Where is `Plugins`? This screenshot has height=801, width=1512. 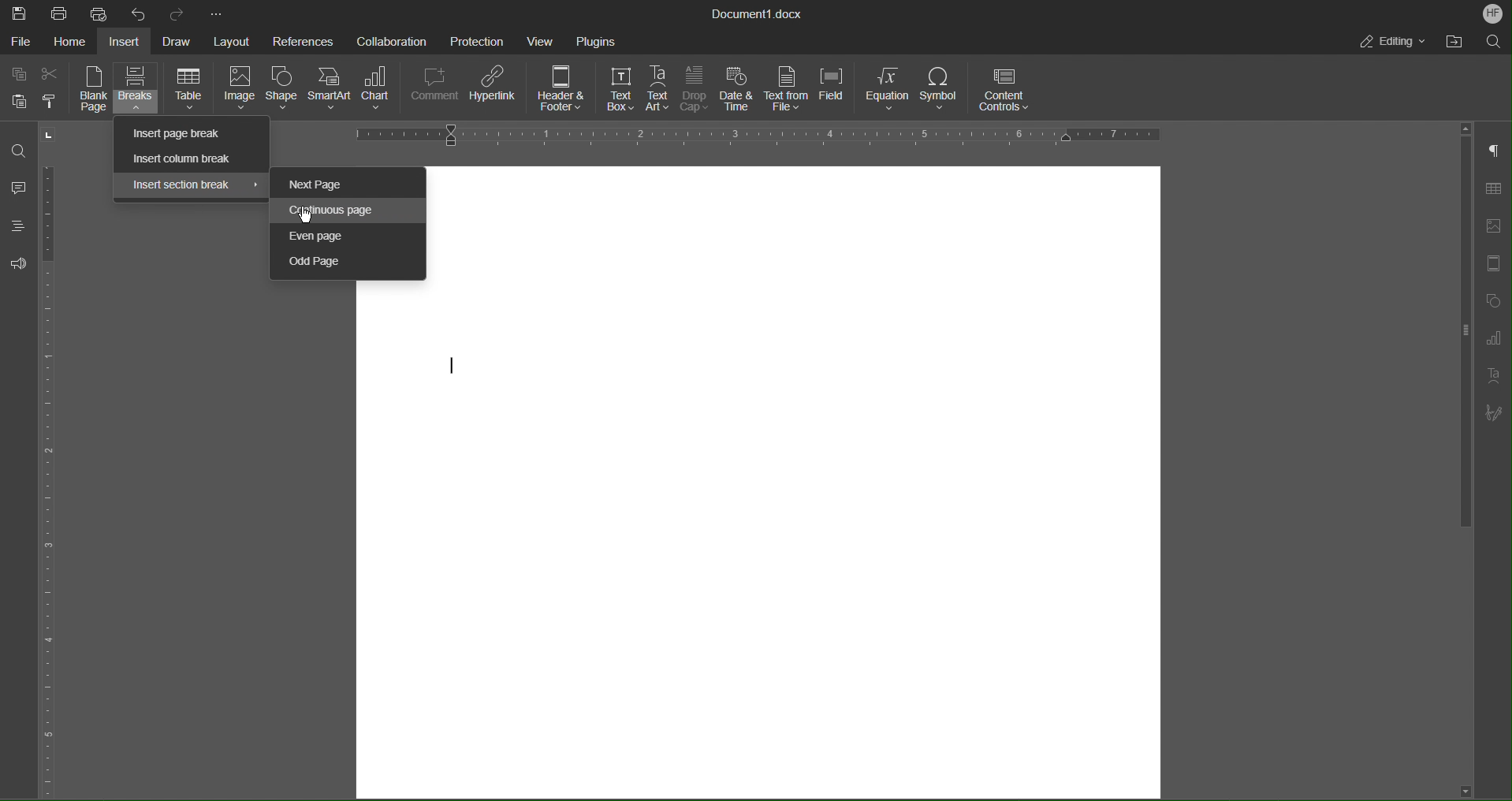
Plugins is located at coordinates (599, 39).